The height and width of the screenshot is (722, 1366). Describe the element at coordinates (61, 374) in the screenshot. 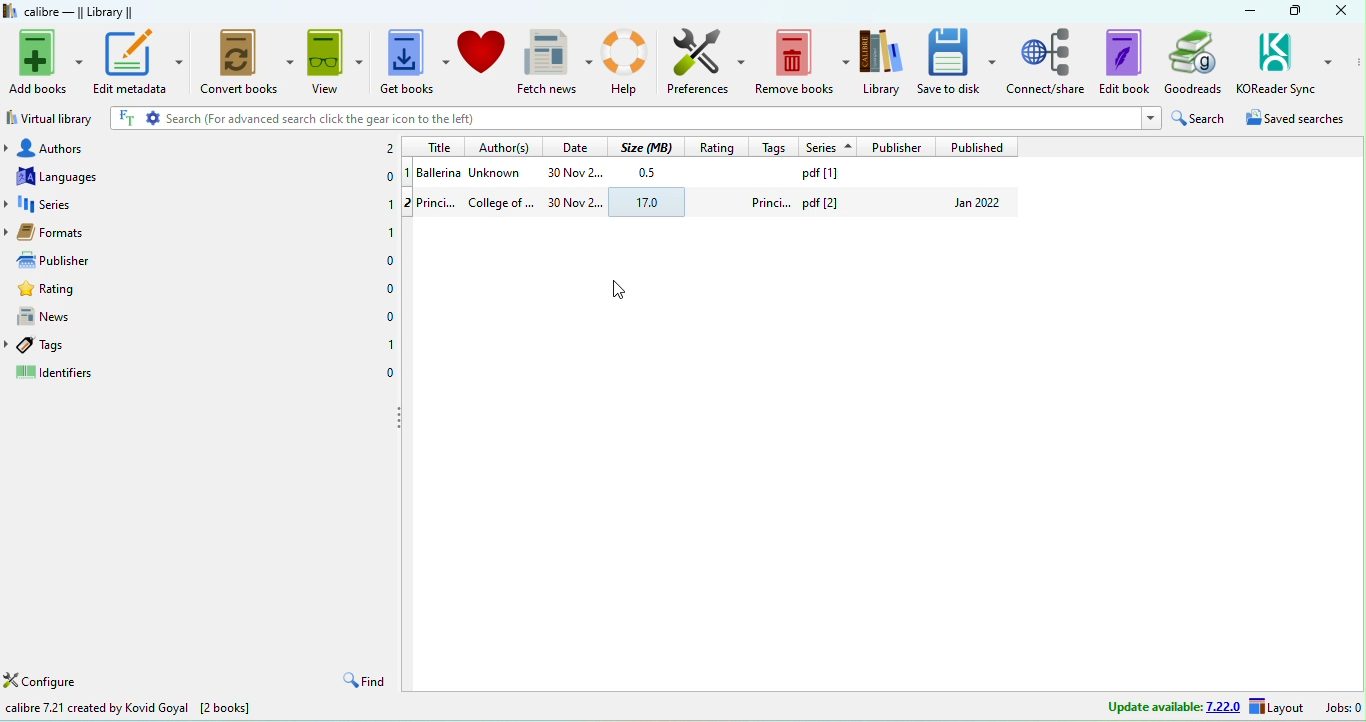

I see `identifiers` at that location.